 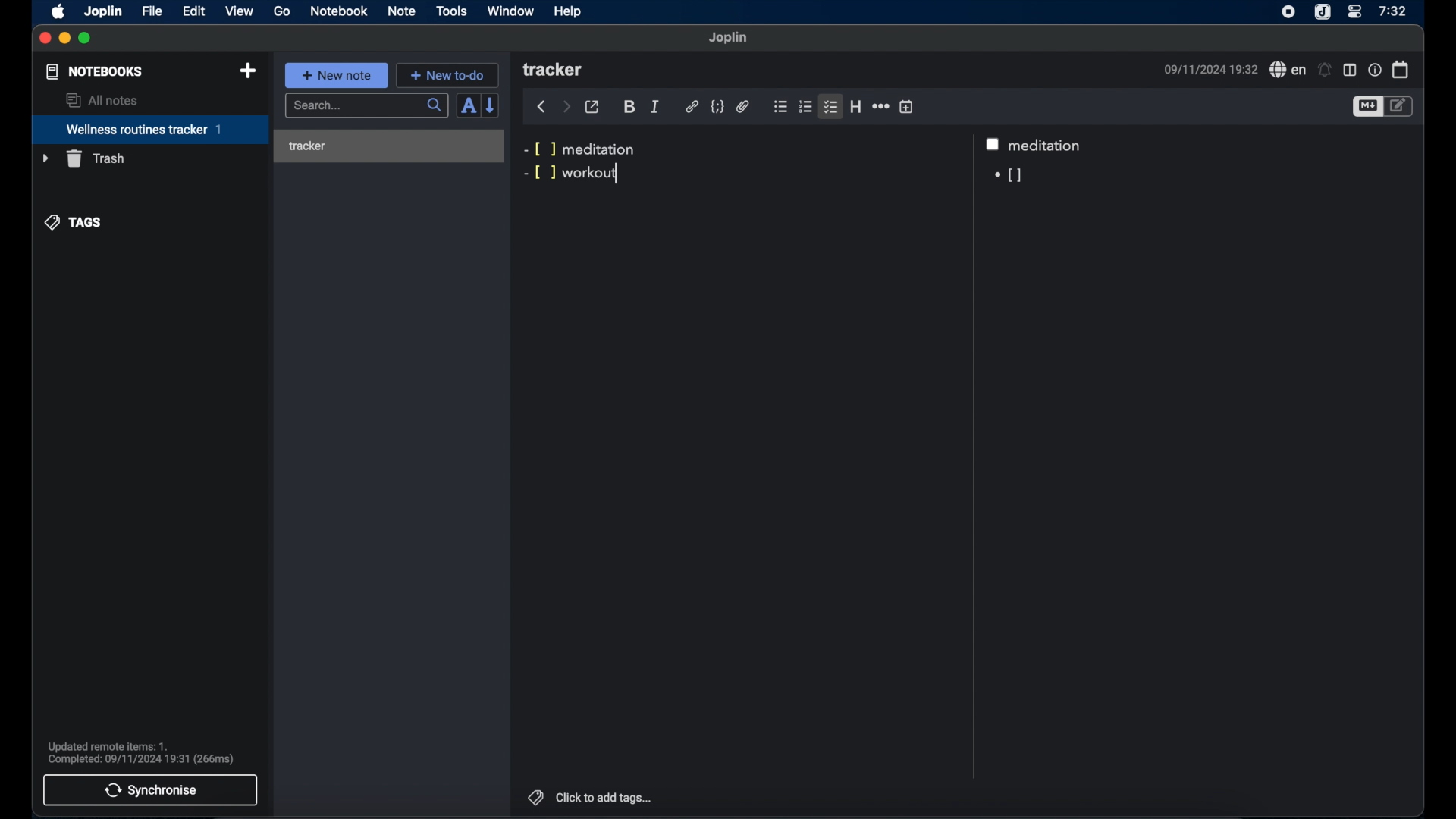 What do you see at coordinates (855, 106) in the screenshot?
I see `heading` at bounding box center [855, 106].